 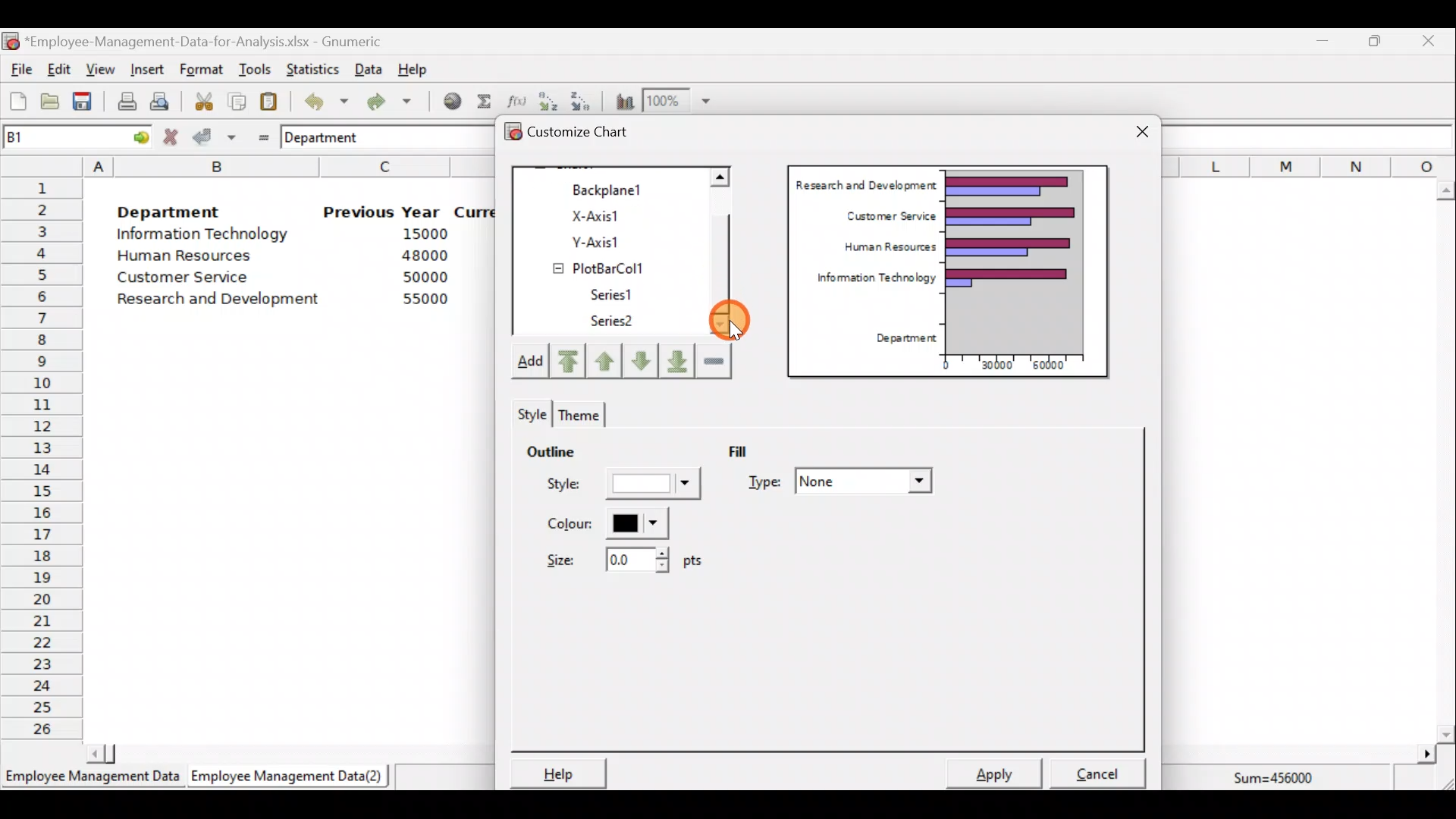 What do you see at coordinates (331, 136) in the screenshot?
I see `Department` at bounding box center [331, 136].